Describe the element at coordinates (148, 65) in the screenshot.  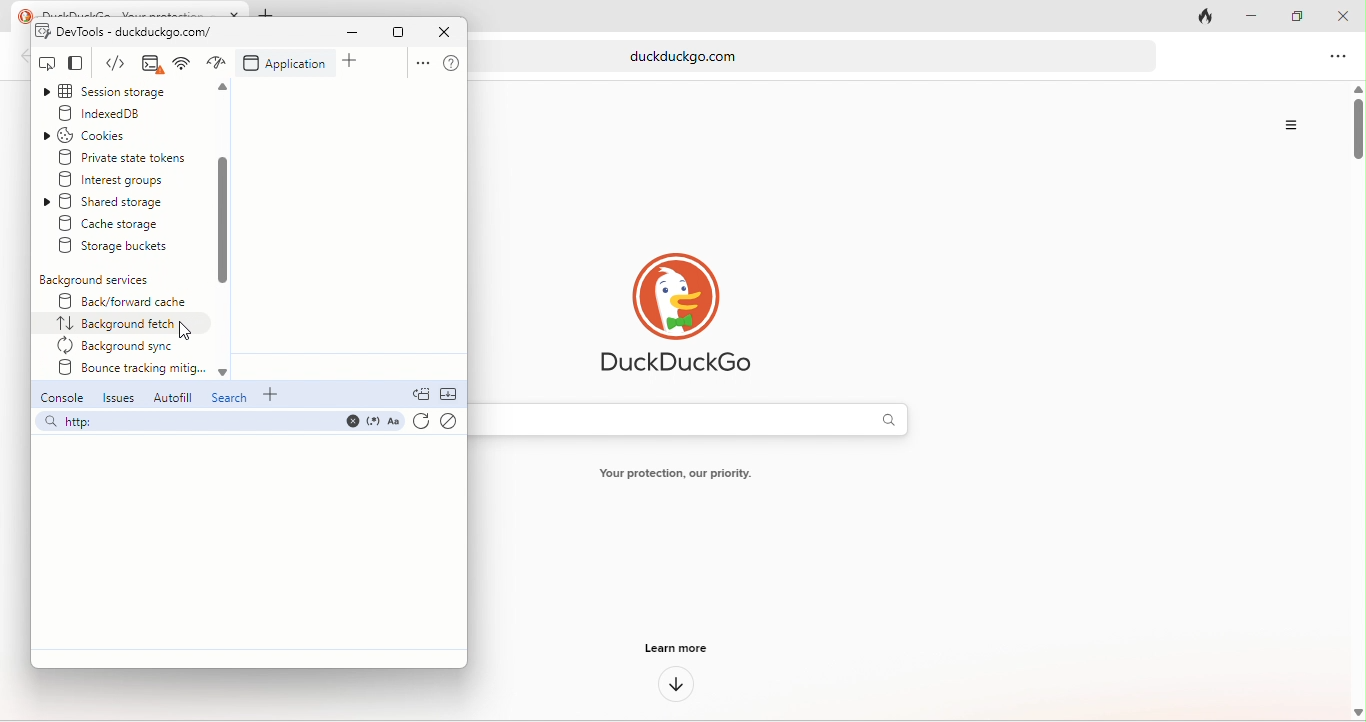
I see `elements` at that location.